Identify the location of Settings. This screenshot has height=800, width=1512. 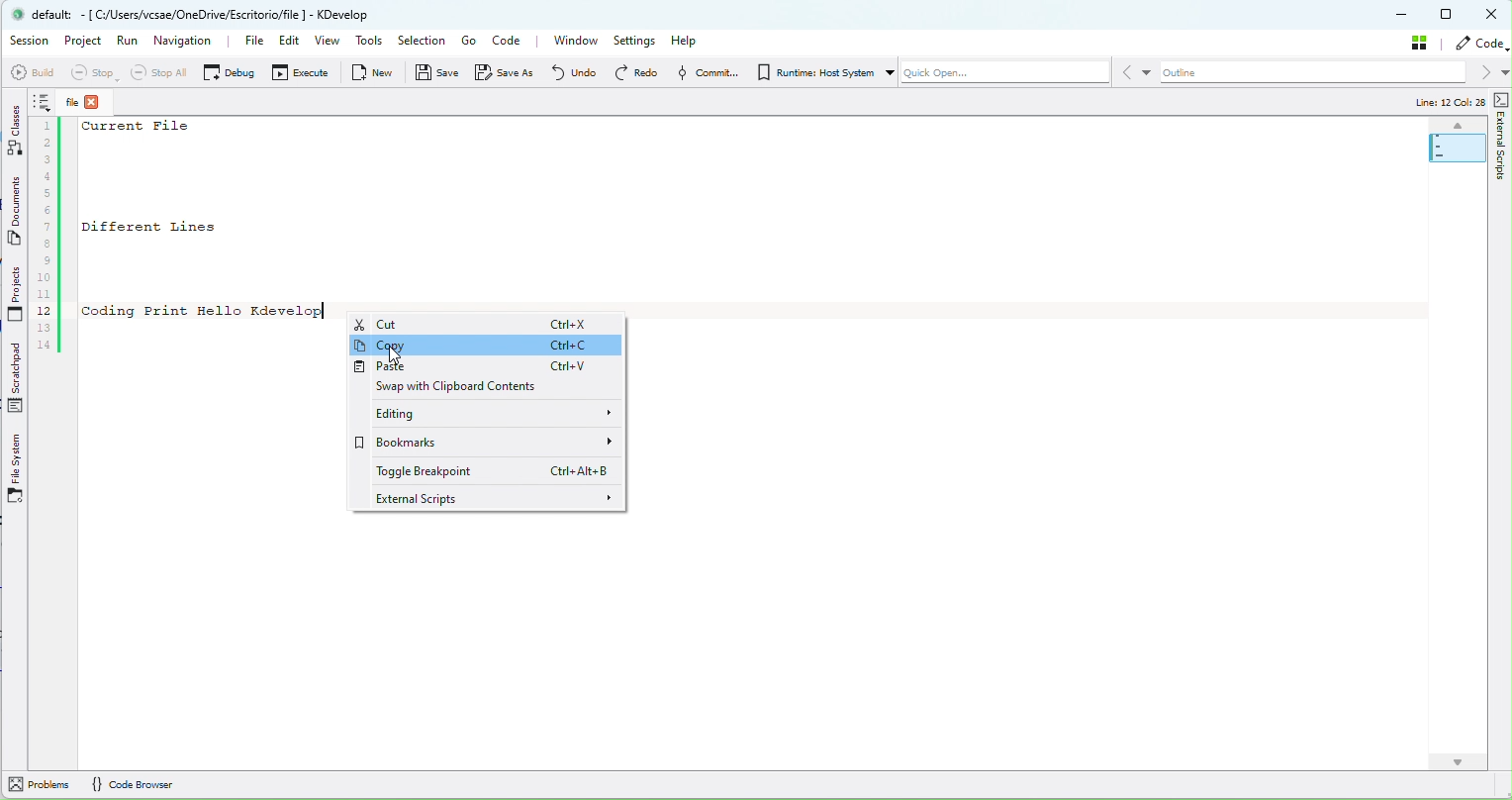
(637, 41).